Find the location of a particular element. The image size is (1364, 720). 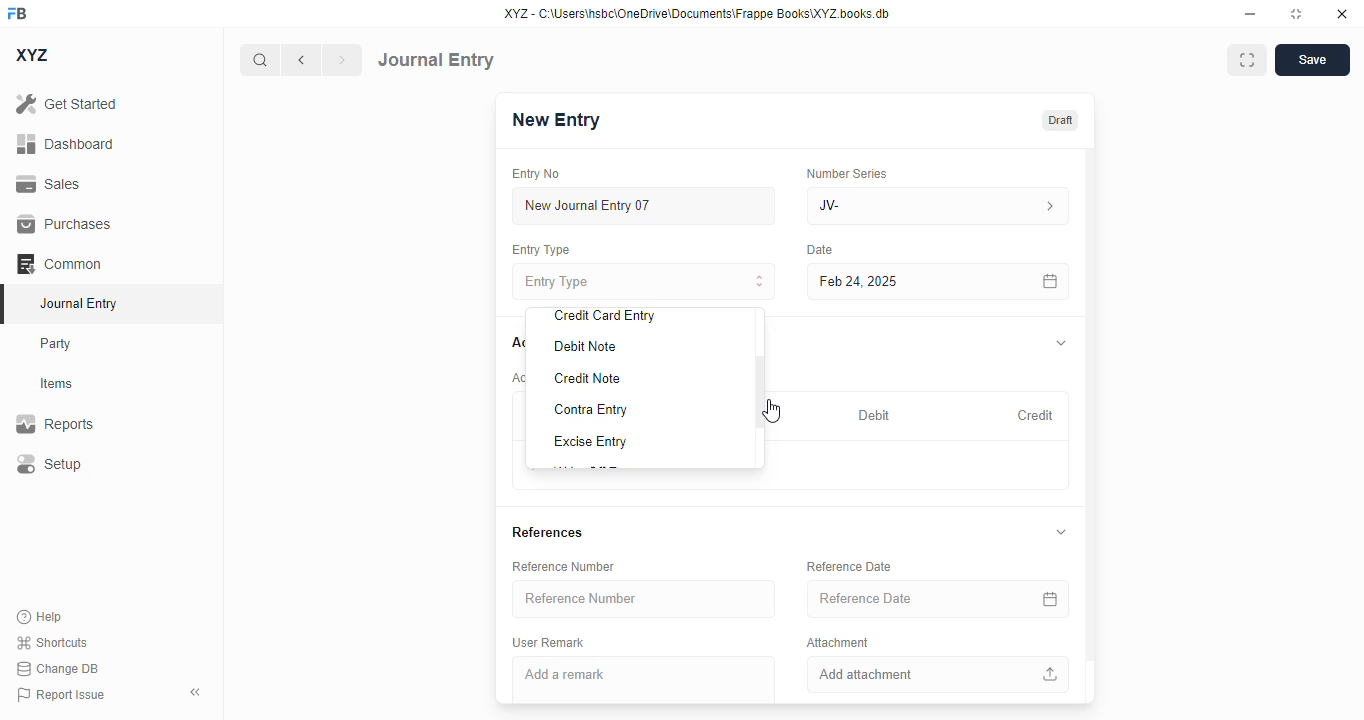

number series is located at coordinates (849, 173).